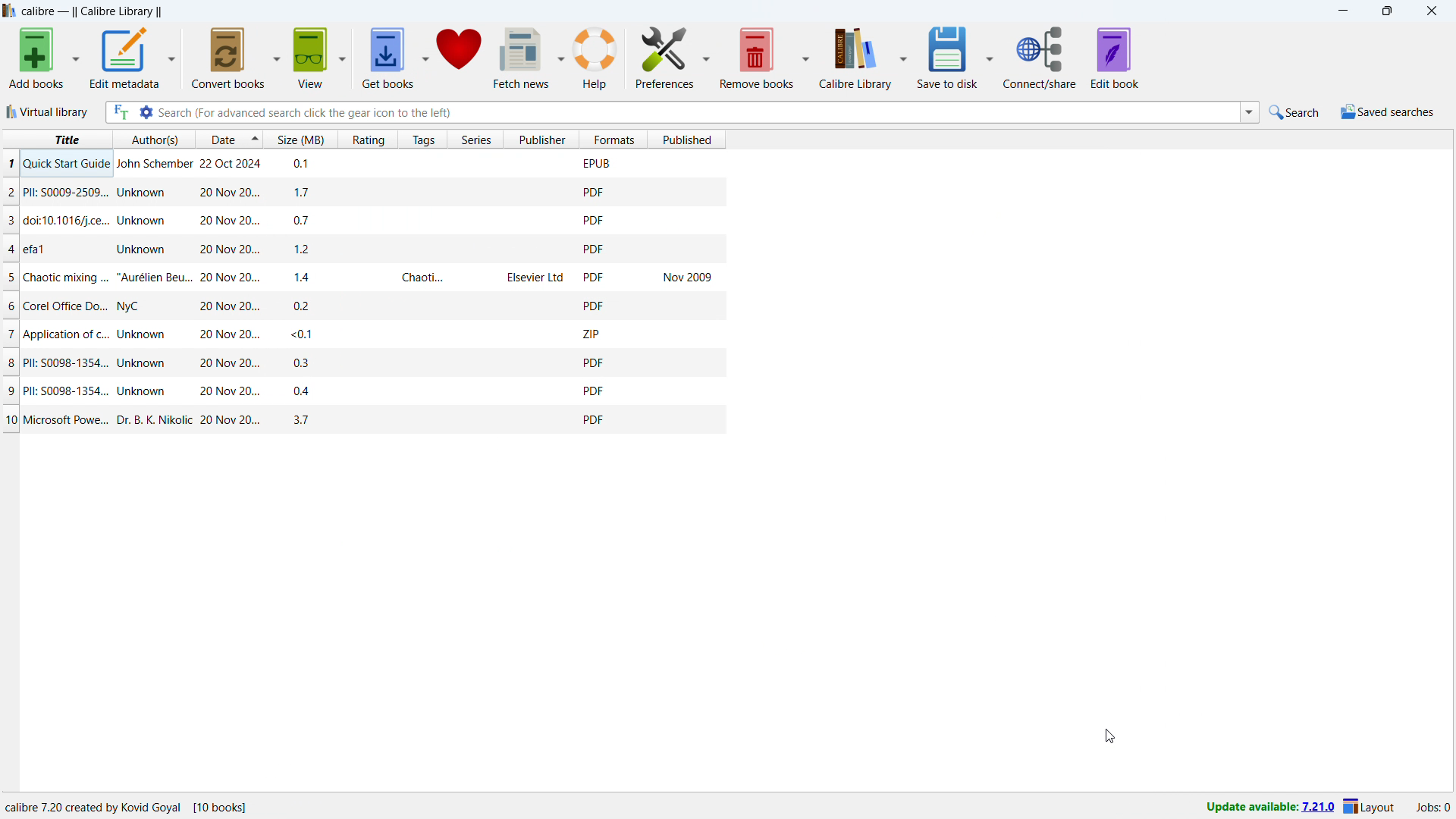 The image size is (1456, 819). Describe the element at coordinates (328, 219) in the screenshot. I see `3 | doi:10.1016/j.ce... Unknown 20 Nov 20... 07` at that location.